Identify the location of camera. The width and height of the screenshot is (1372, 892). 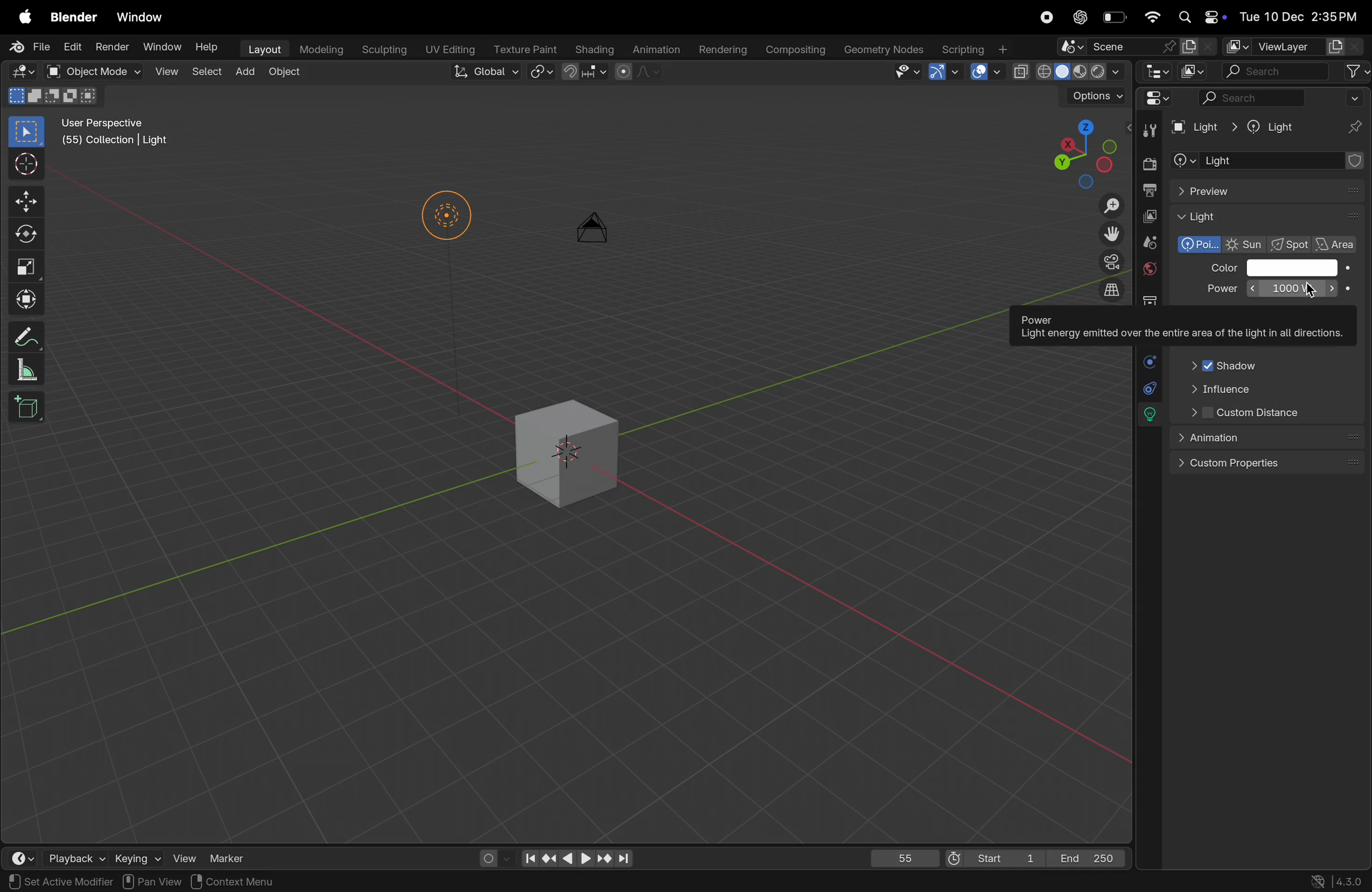
(1109, 262).